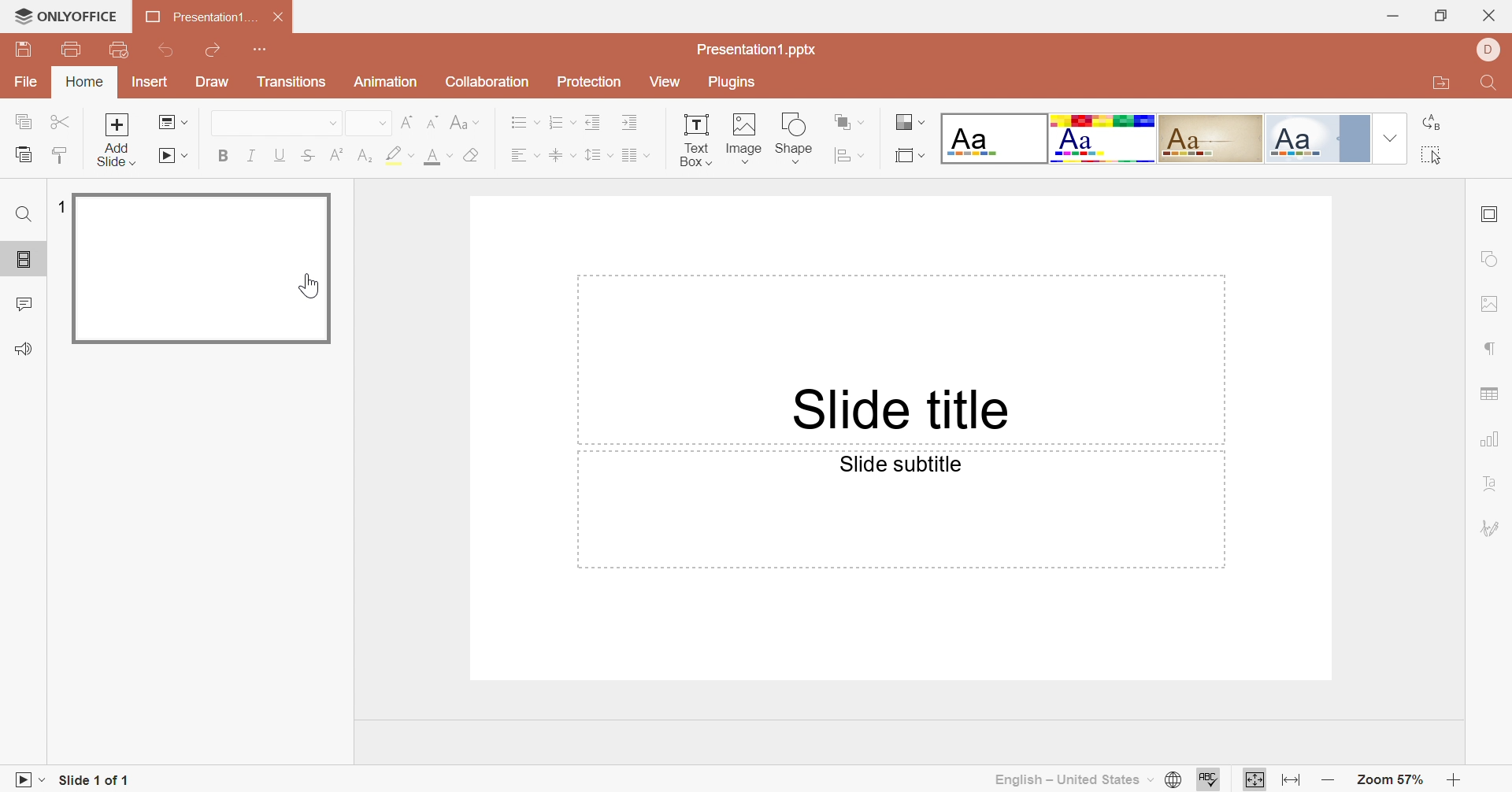  I want to click on Highlight color, so click(390, 154).